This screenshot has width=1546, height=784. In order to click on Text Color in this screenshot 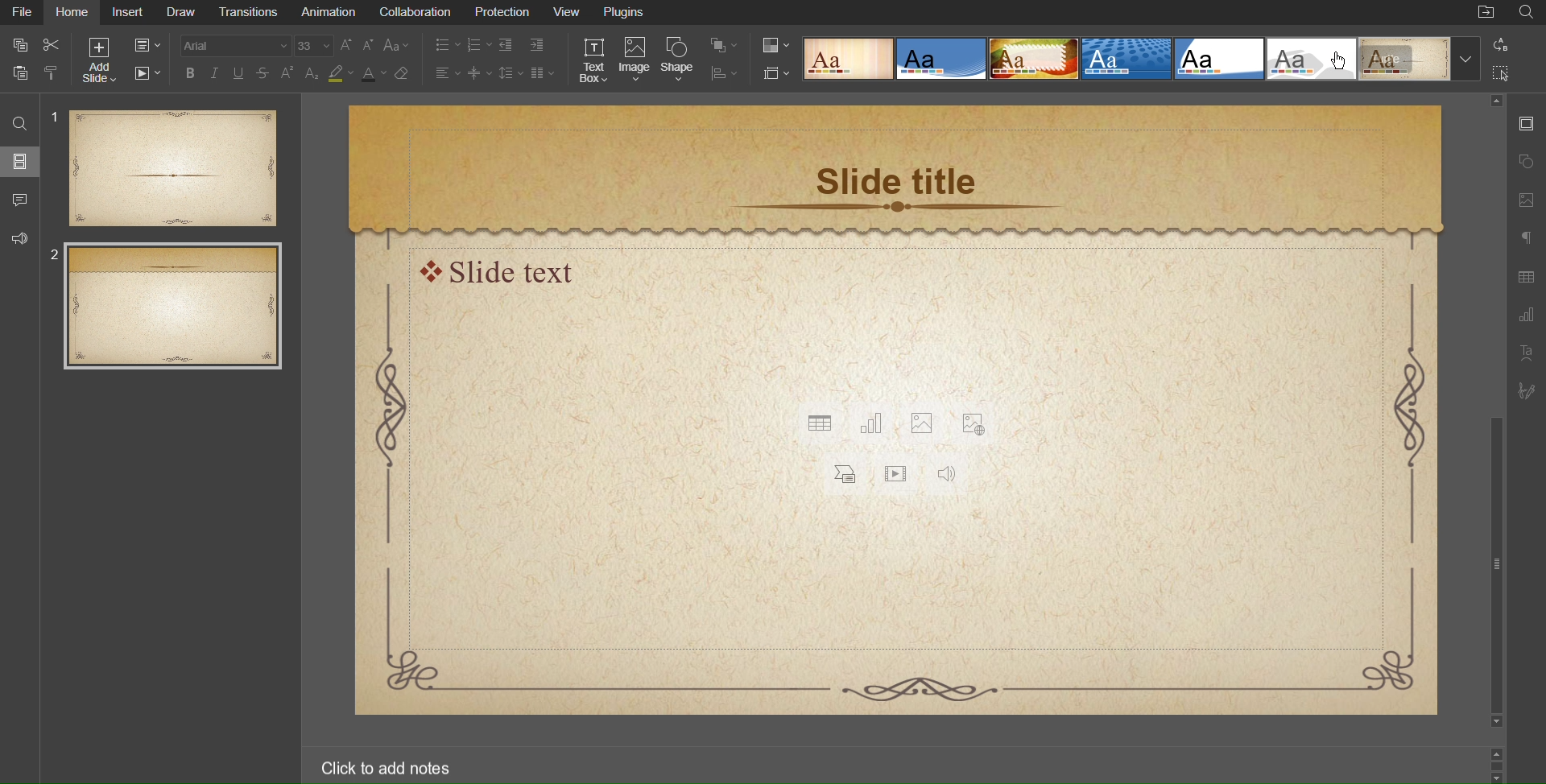, I will do `click(371, 73)`.